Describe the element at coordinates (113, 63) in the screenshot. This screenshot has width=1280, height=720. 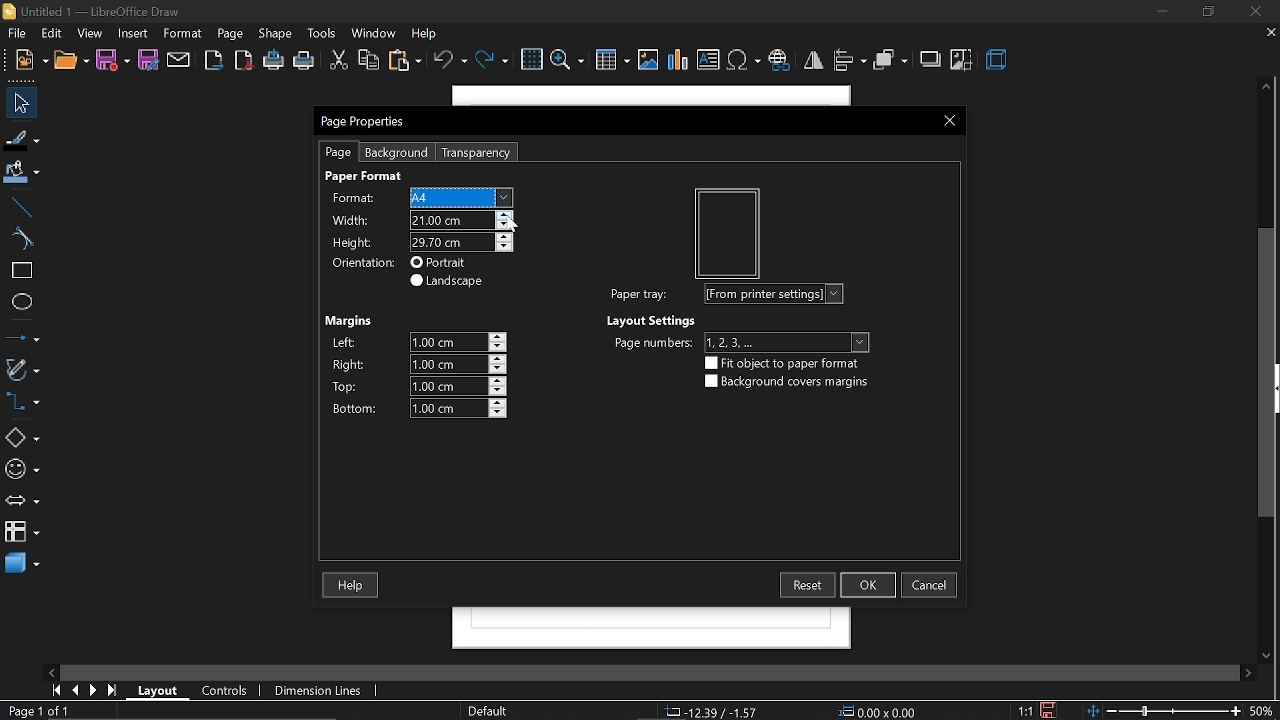
I see `save` at that location.